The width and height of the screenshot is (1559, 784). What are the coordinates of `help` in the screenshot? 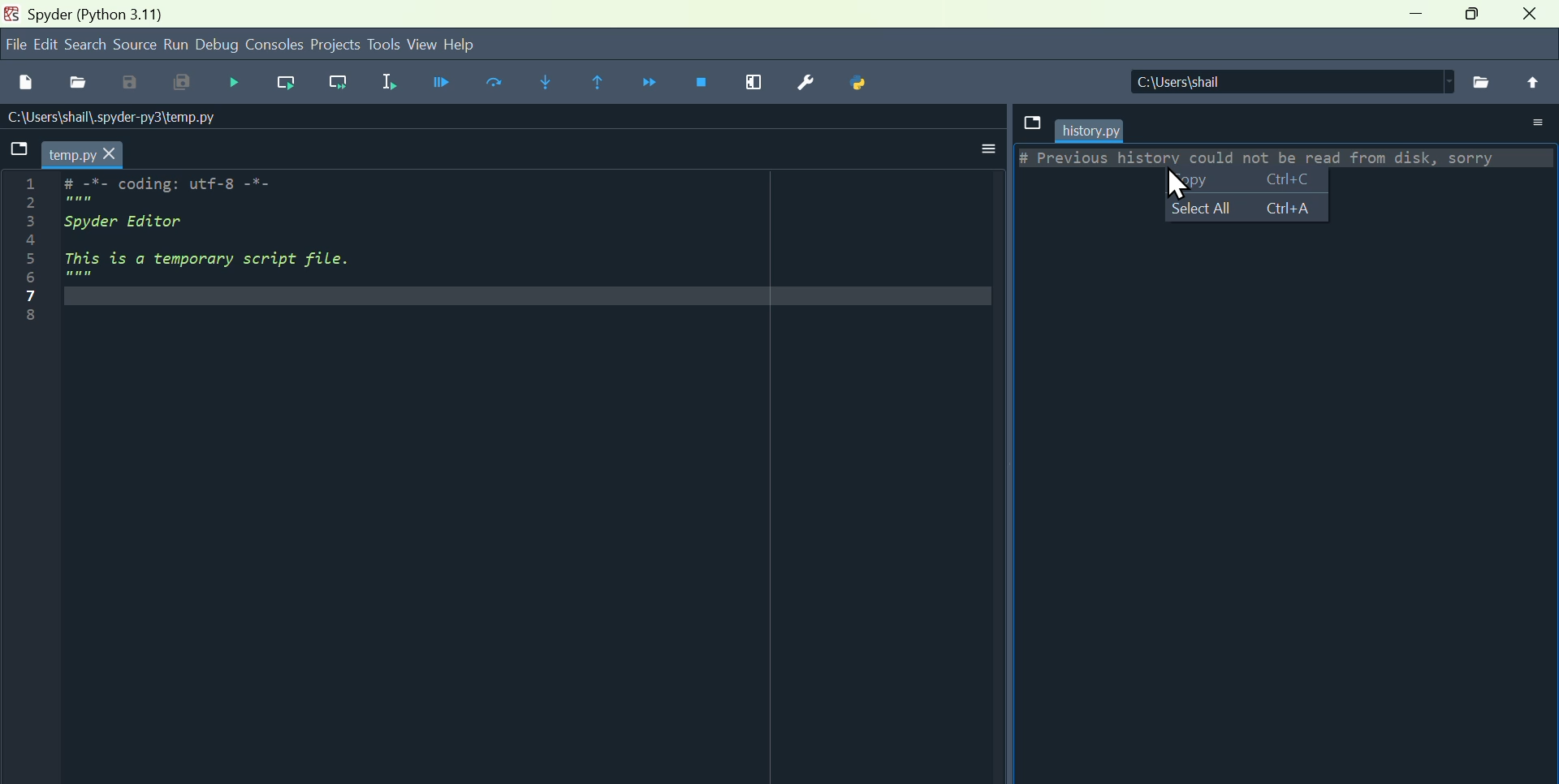 It's located at (462, 43).